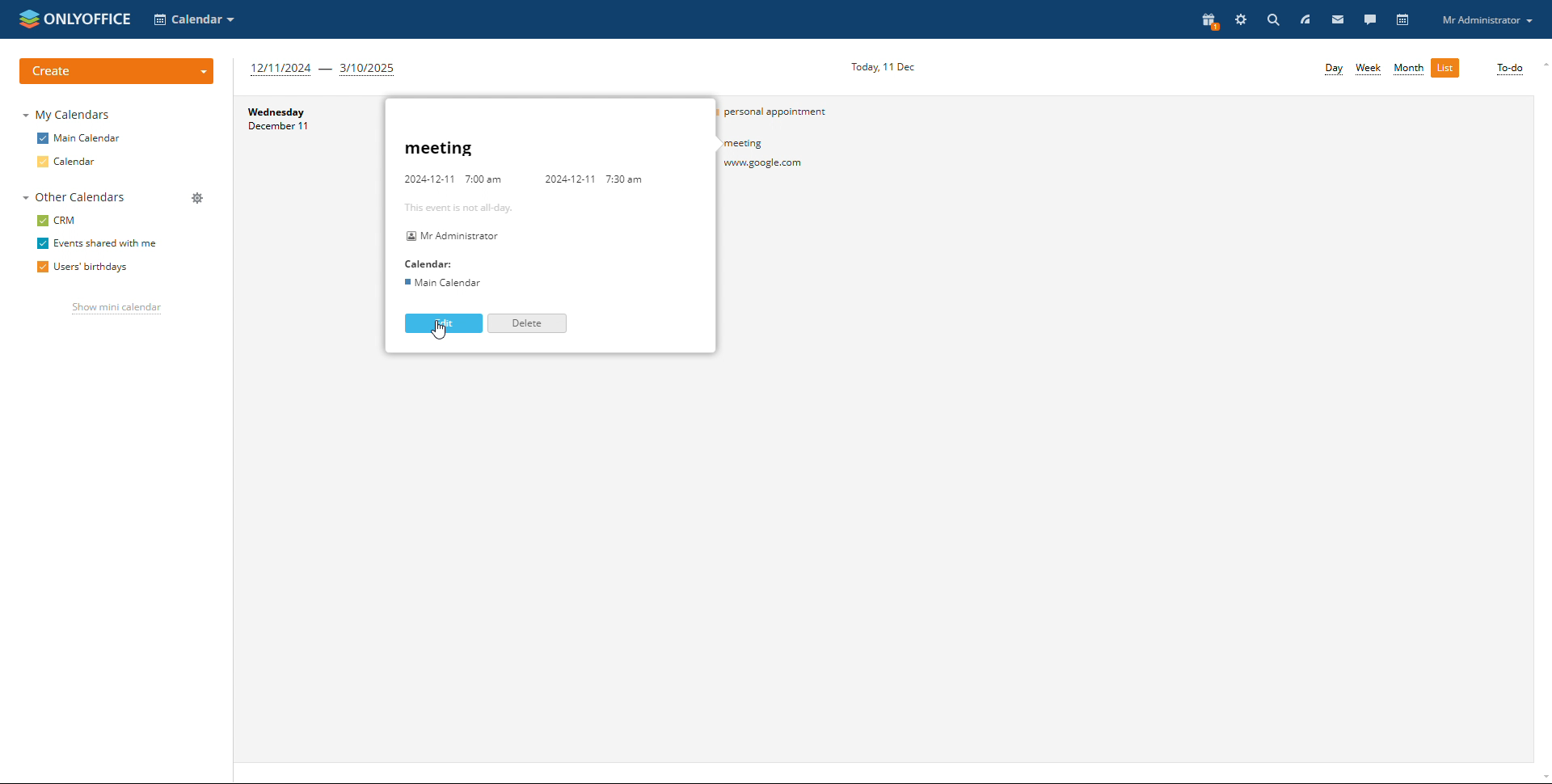 The width and height of the screenshot is (1552, 784). Describe the element at coordinates (1542, 778) in the screenshot. I see `scroll down` at that location.